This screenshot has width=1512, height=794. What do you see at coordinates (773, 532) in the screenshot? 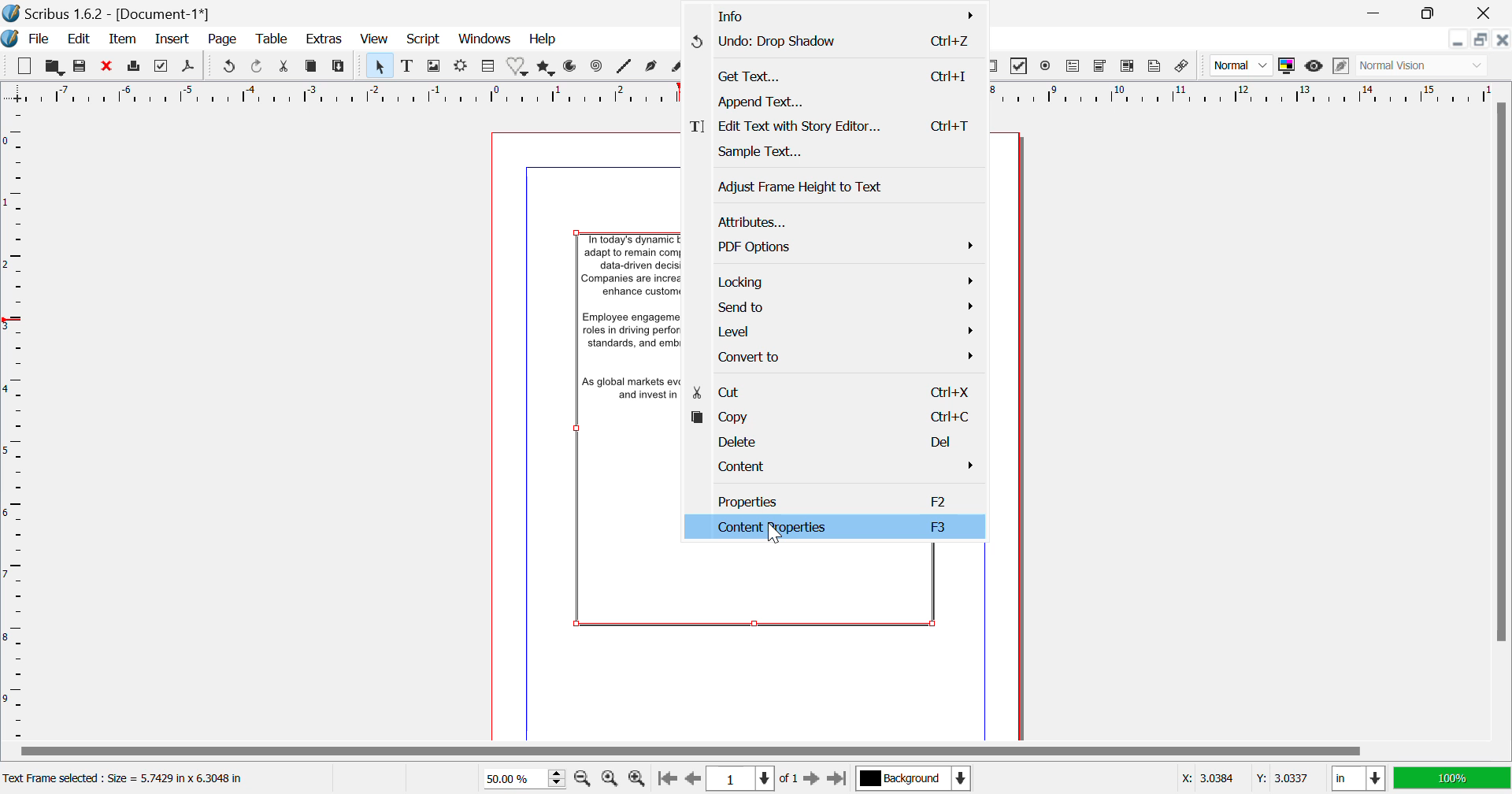
I see `Cursor Position` at bounding box center [773, 532].